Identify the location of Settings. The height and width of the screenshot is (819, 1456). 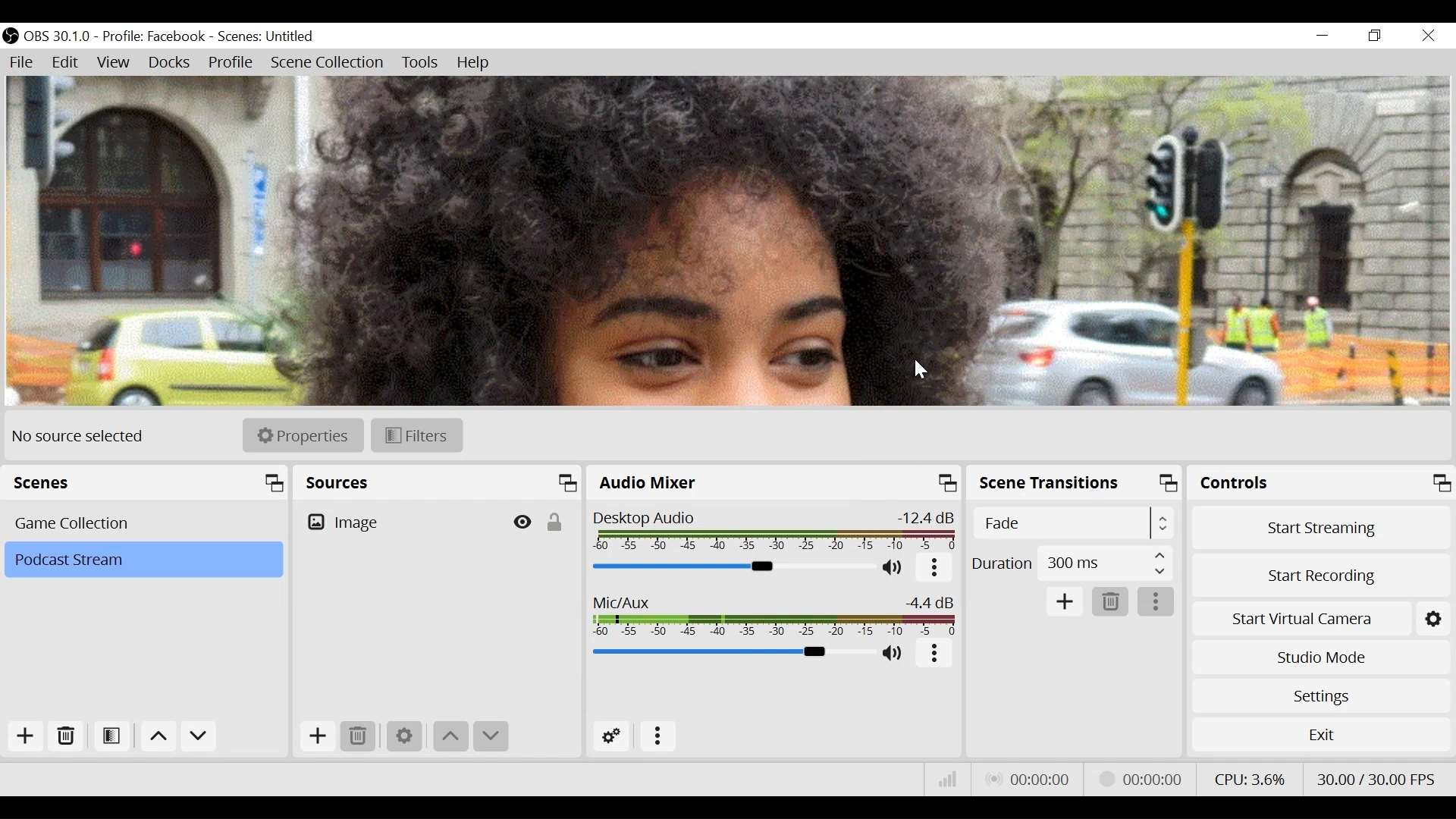
(1323, 694).